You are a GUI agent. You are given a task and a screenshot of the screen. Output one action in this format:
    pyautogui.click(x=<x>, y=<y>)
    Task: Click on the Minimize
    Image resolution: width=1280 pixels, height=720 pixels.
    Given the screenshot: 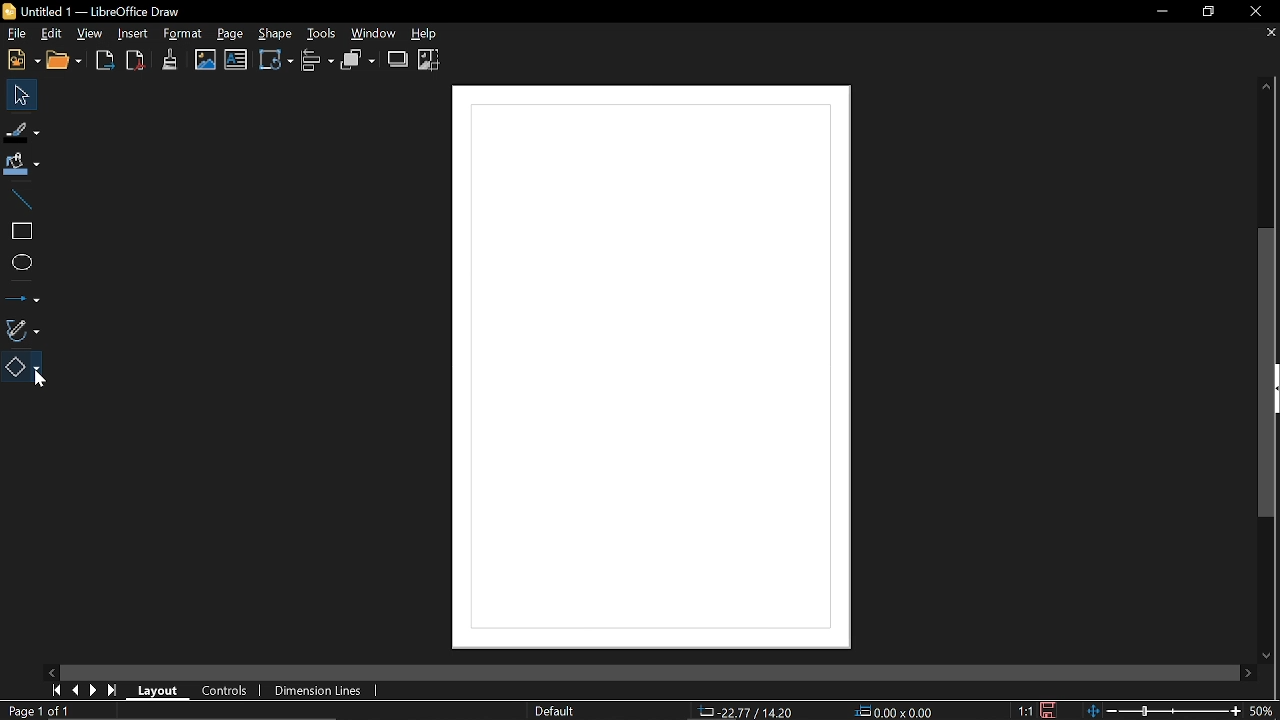 What is the action you would take?
    pyautogui.click(x=1156, y=13)
    